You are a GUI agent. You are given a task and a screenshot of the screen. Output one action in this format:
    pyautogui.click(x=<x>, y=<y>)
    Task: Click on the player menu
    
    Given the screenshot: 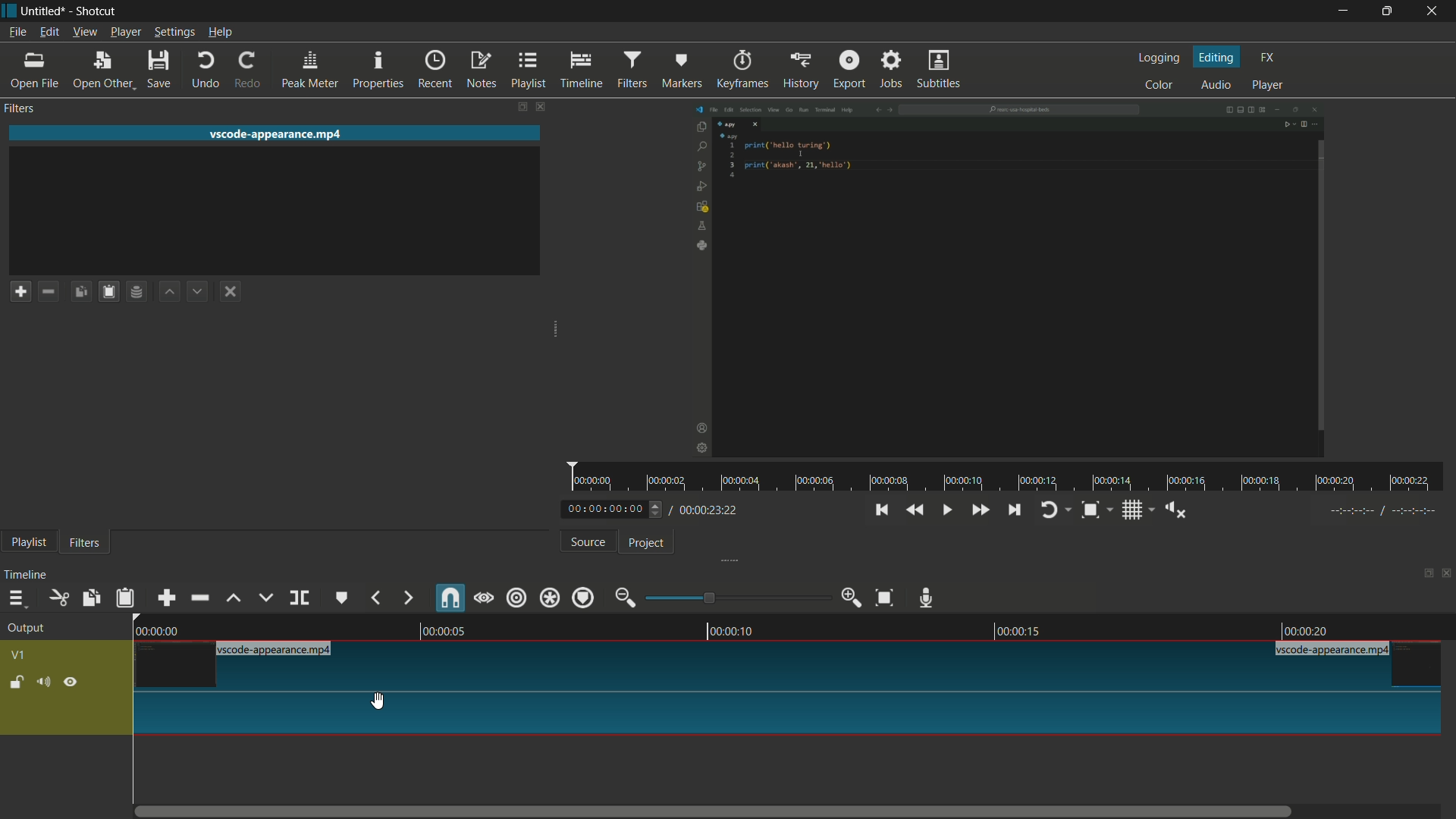 What is the action you would take?
    pyautogui.click(x=126, y=33)
    